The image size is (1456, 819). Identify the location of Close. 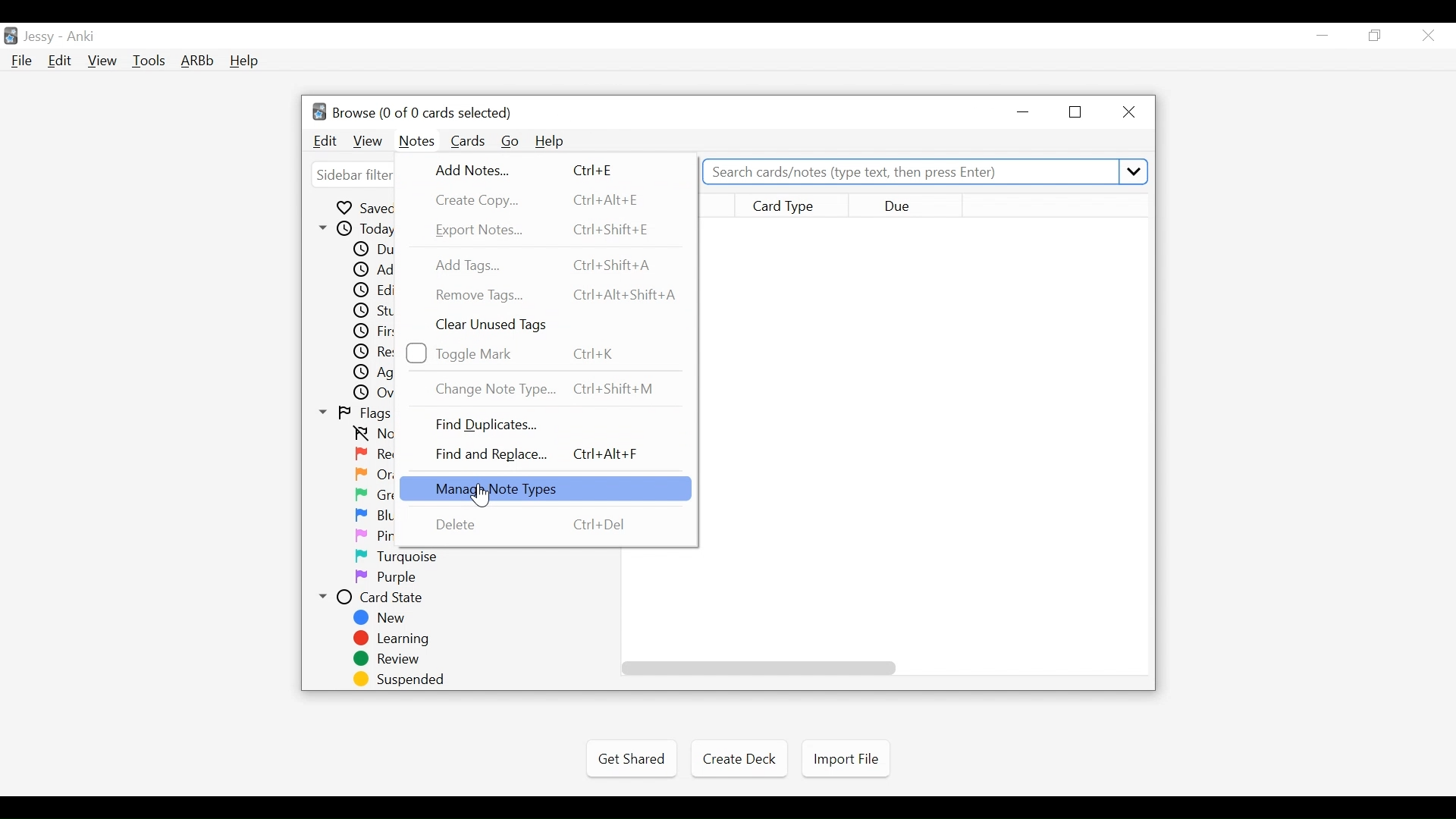
(1428, 36).